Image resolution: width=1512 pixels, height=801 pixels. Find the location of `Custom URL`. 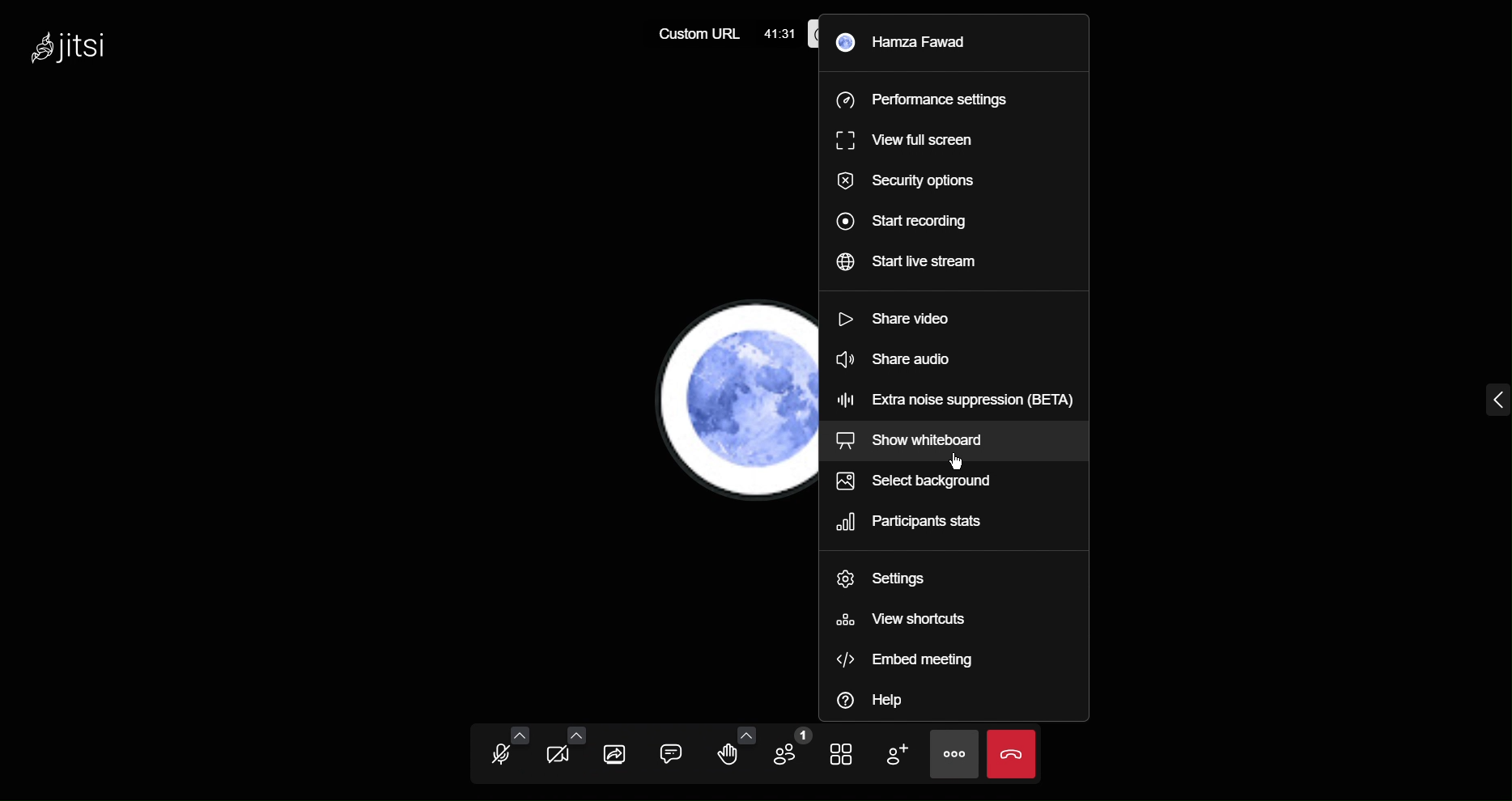

Custom URL is located at coordinates (696, 32).